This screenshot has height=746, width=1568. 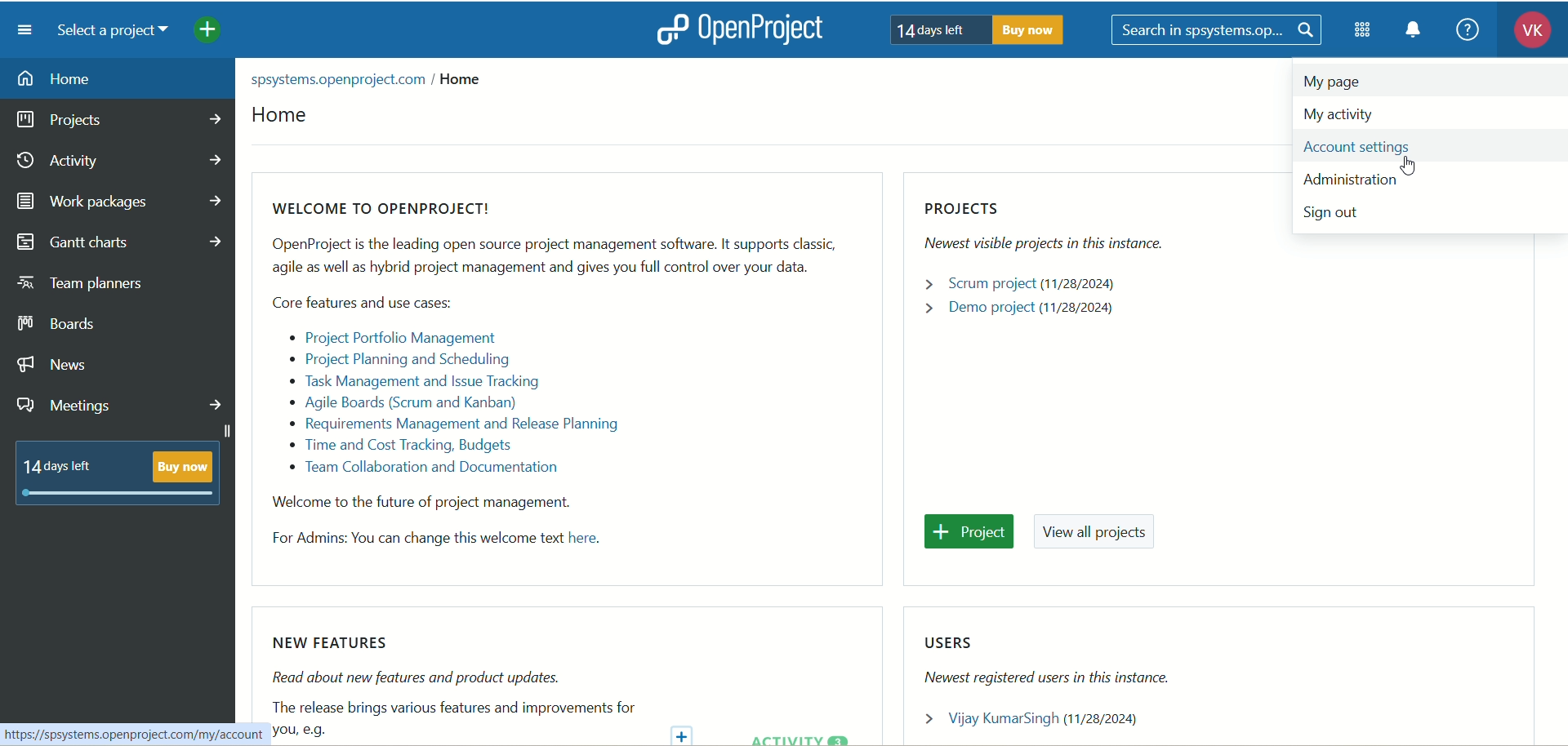 I want to click on text, so click(x=118, y=473).